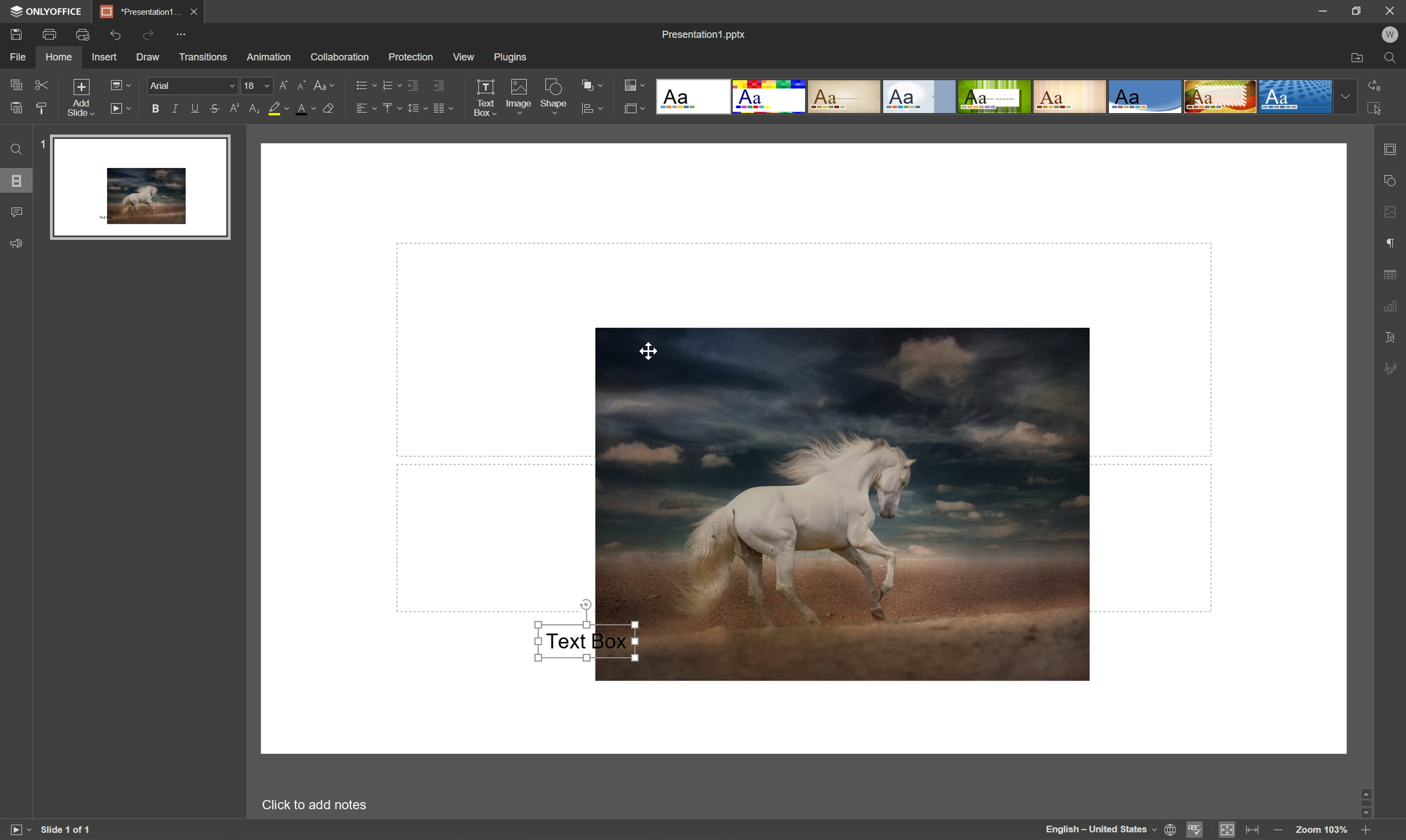 This screenshot has height=840, width=1406. What do you see at coordinates (1366, 832) in the screenshot?
I see `Zoom In` at bounding box center [1366, 832].